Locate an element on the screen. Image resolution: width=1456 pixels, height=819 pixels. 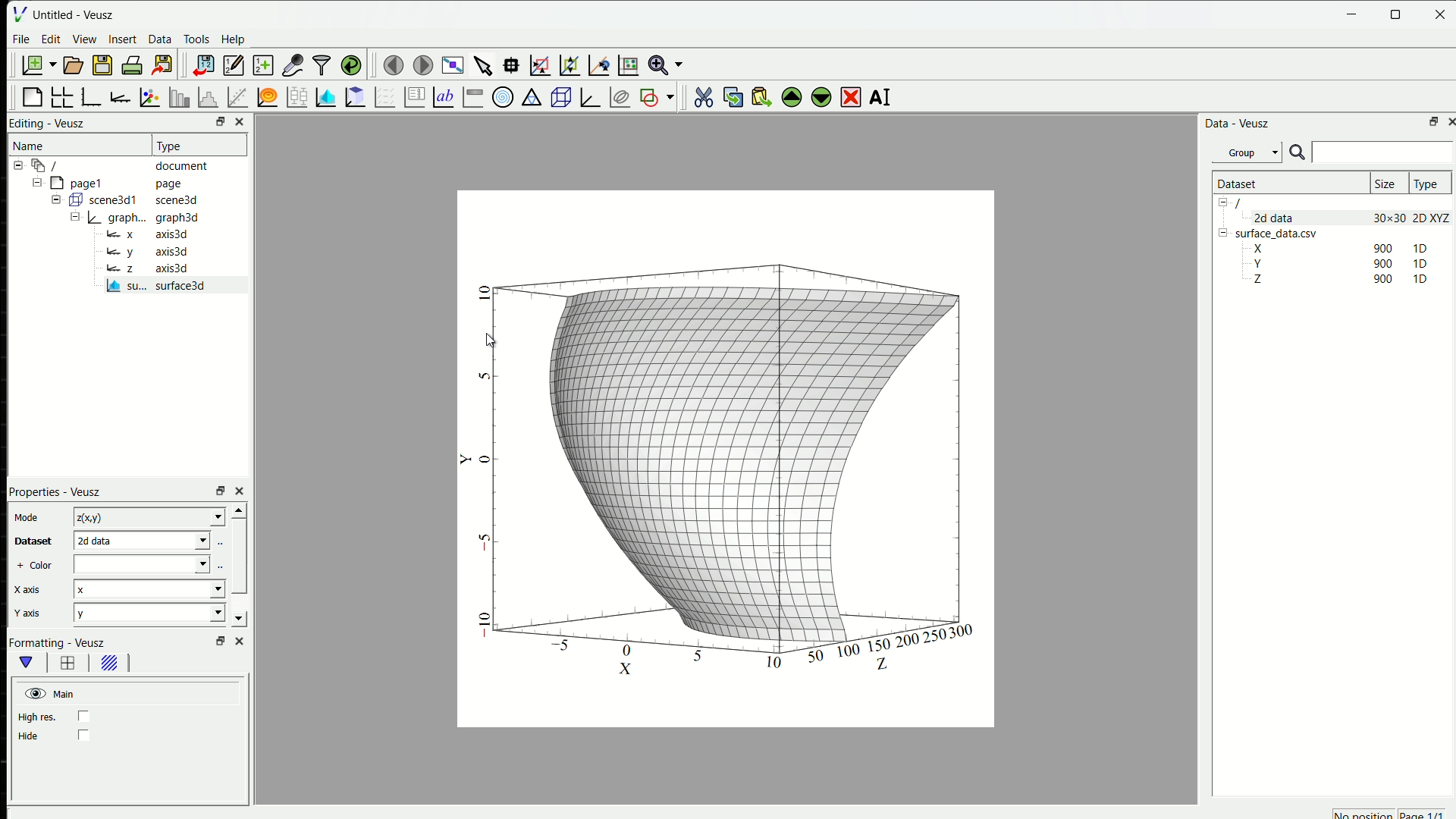
surface 3D is located at coordinates (180, 285).